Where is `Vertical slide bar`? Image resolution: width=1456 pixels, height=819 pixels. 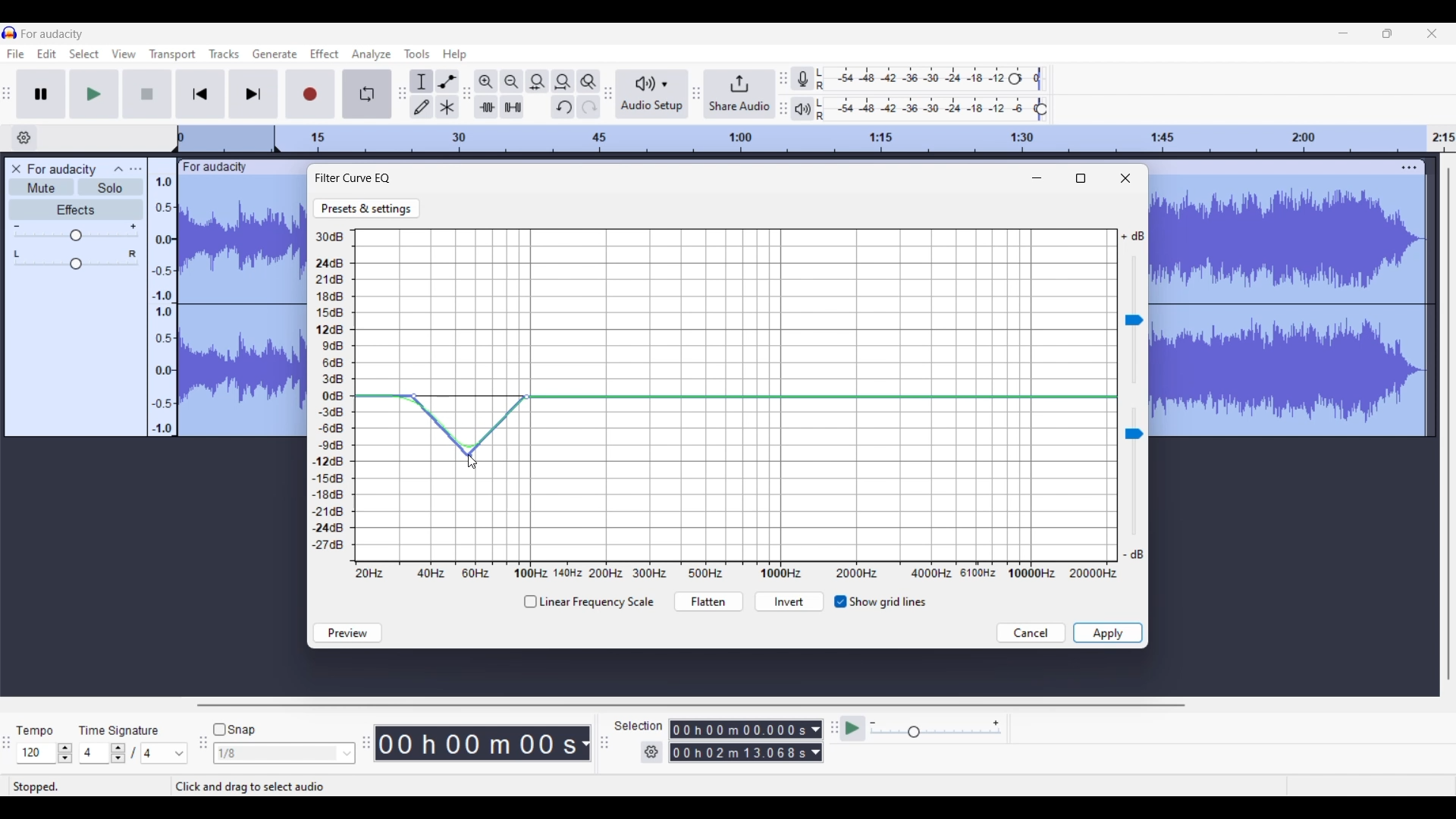 Vertical slide bar is located at coordinates (1448, 423).